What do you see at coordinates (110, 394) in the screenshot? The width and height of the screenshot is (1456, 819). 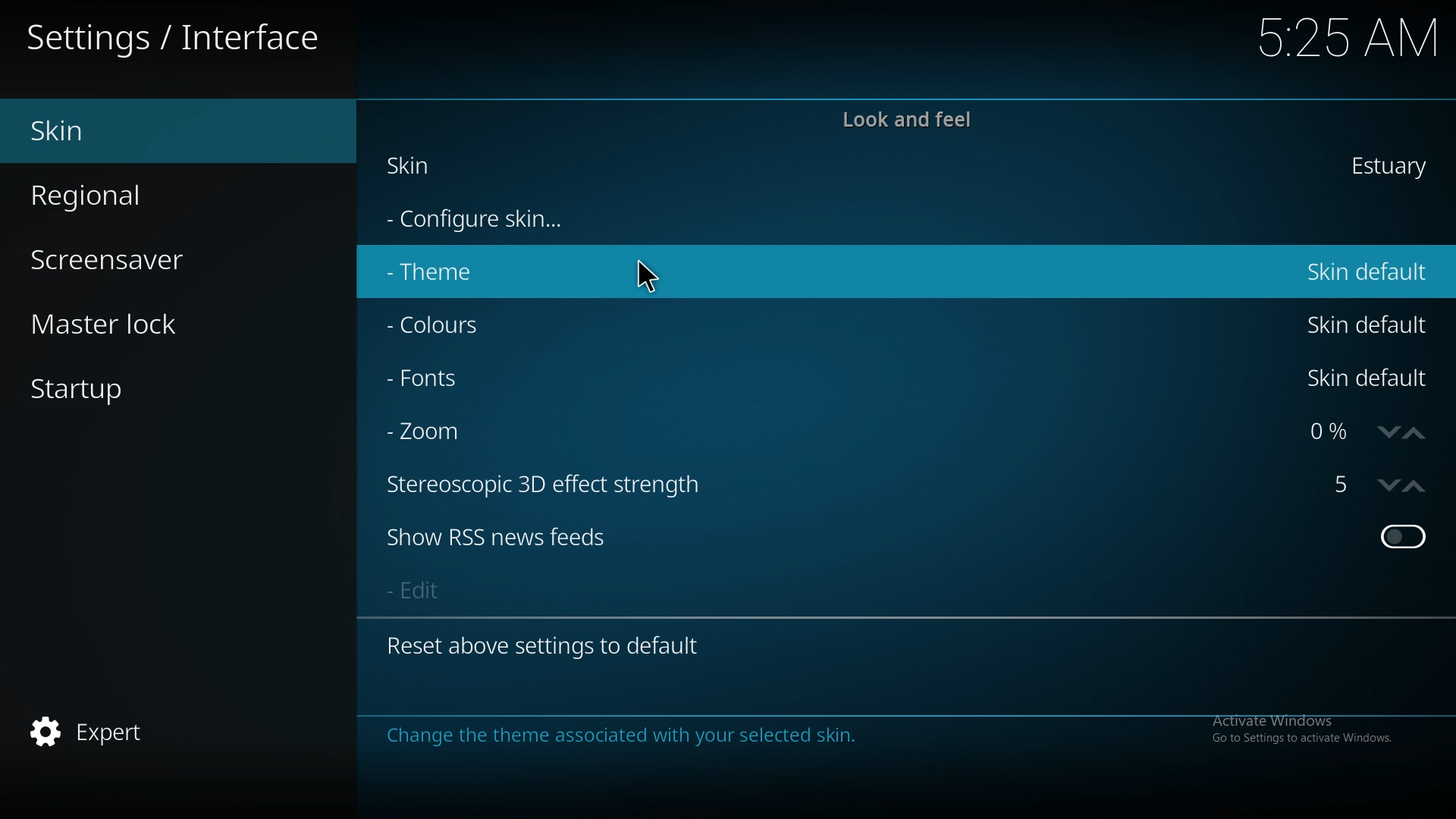 I see `startup` at bounding box center [110, 394].